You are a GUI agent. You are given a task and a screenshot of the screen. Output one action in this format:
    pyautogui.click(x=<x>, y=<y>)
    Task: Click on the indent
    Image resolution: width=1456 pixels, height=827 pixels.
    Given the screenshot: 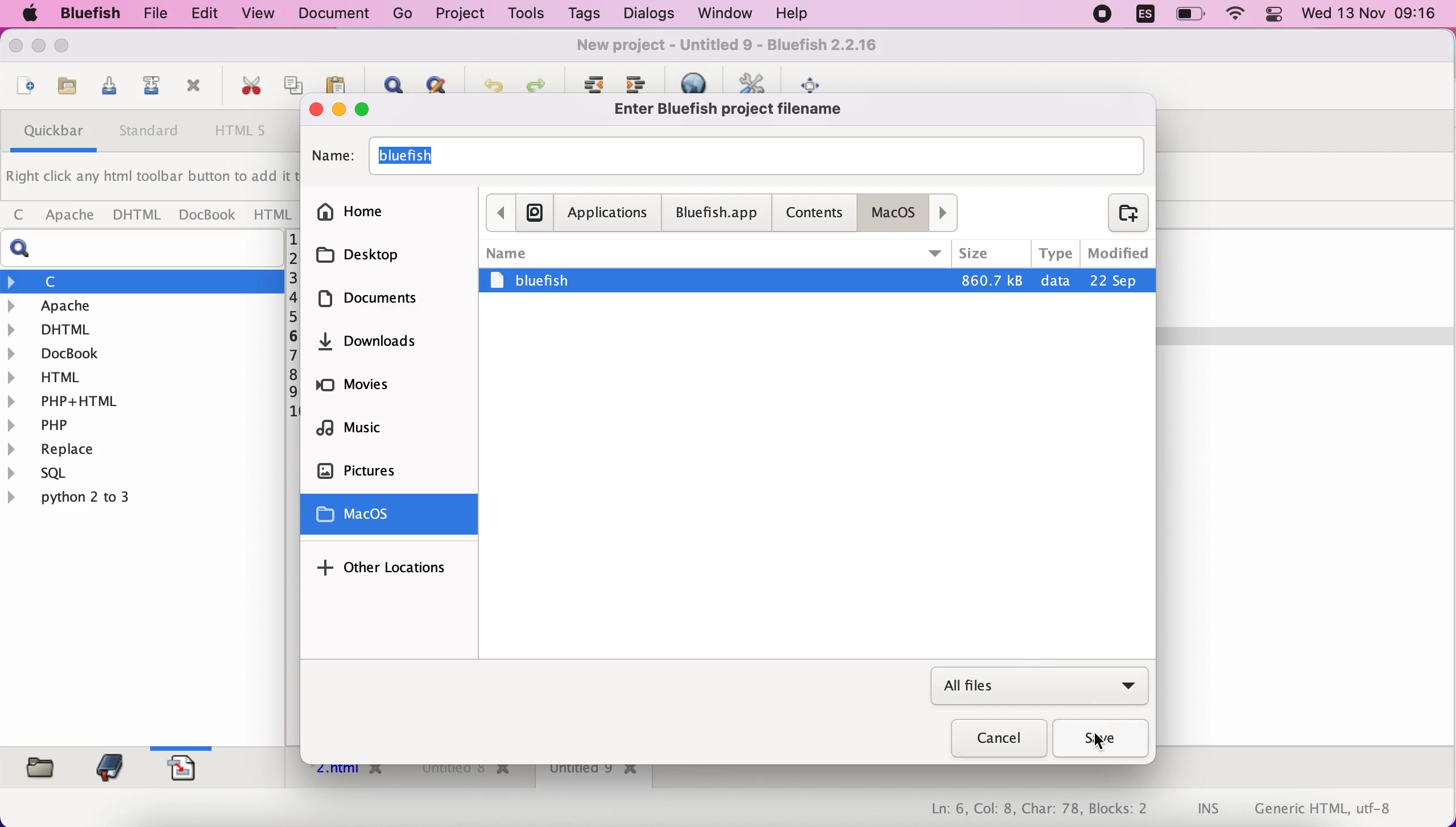 What is the action you would take?
    pyautogui.click(x=640, y=81)
    